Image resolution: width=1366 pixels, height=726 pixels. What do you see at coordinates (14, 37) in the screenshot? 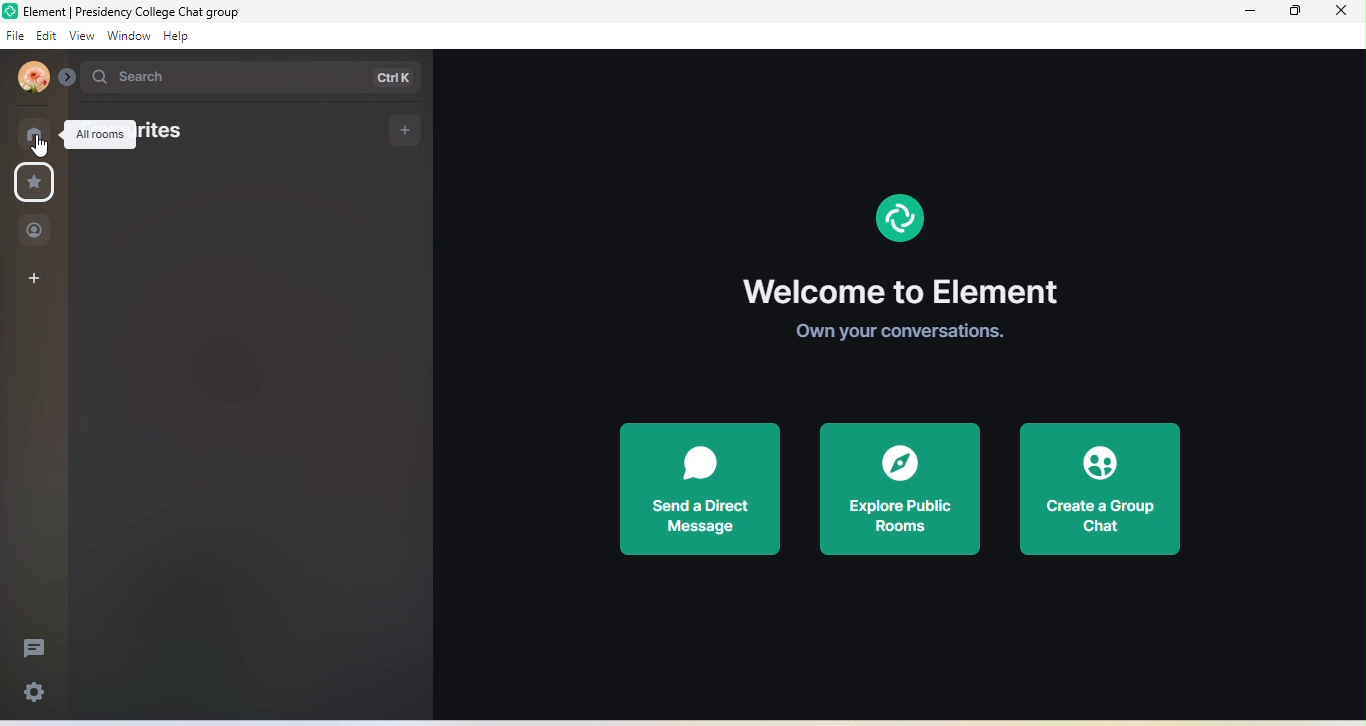
I see `file` at bounding box center [14, 37].